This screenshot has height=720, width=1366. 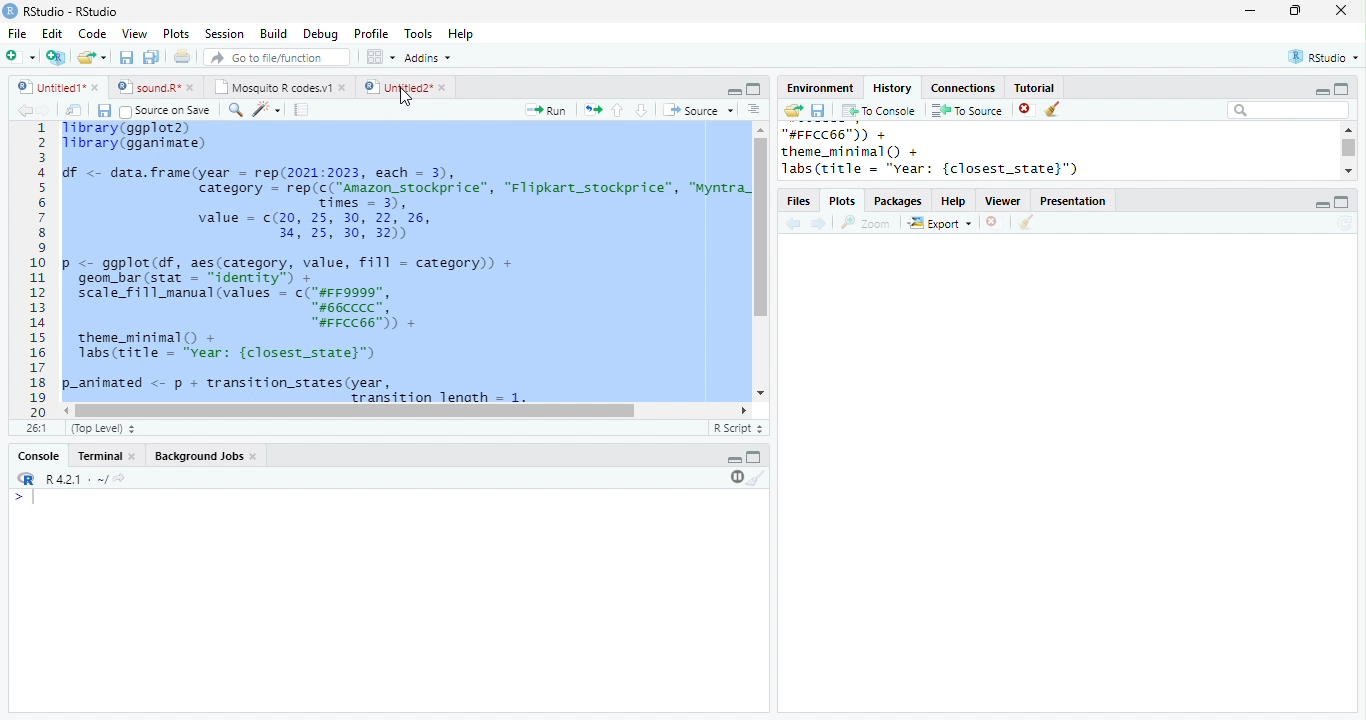 What do you see at coordinates (379, 57) in the screenshot?
I see `options` at bounding box center [379, 57].